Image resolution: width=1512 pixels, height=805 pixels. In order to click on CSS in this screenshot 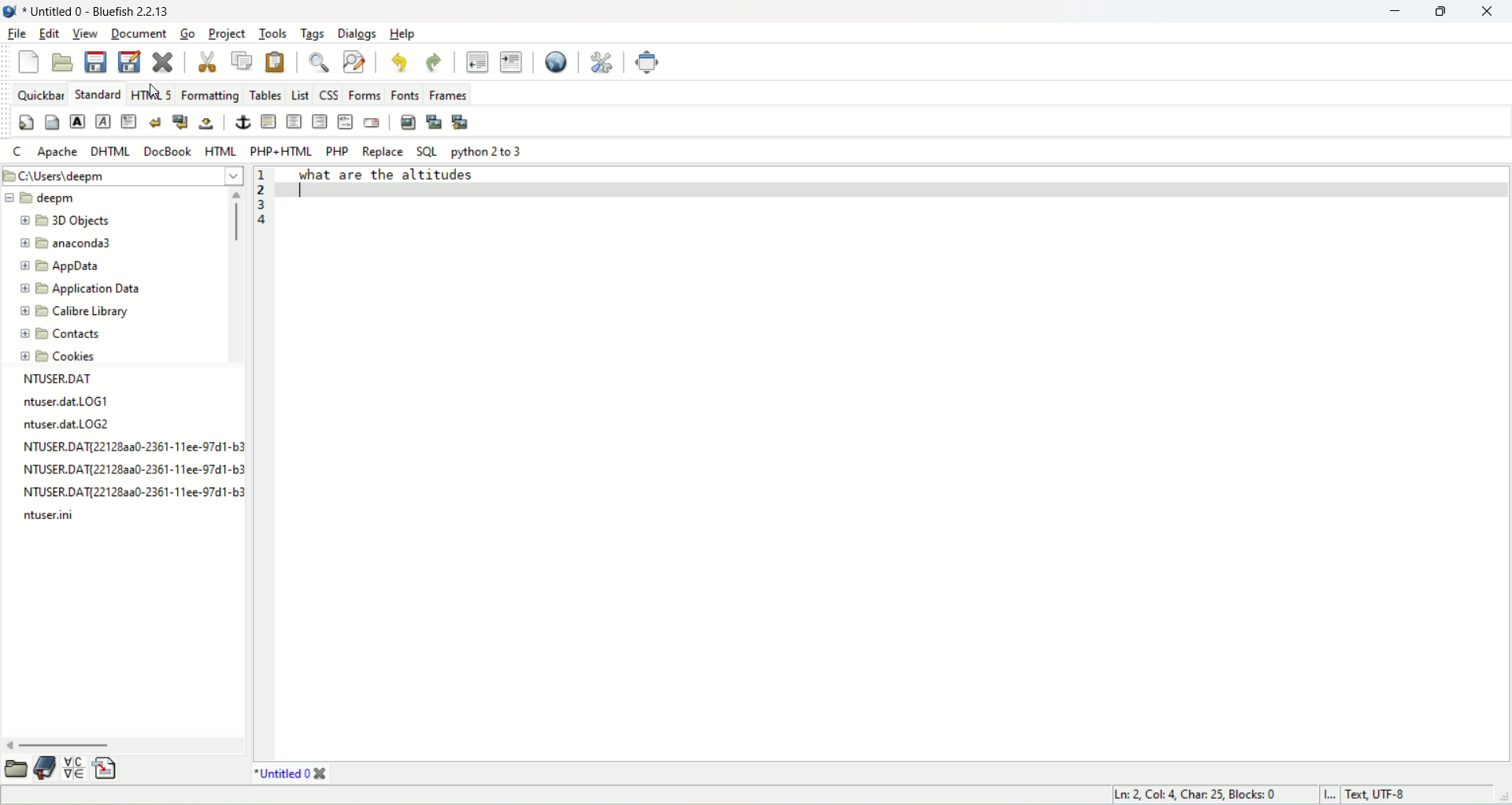, I will do `click(328, 95)`.